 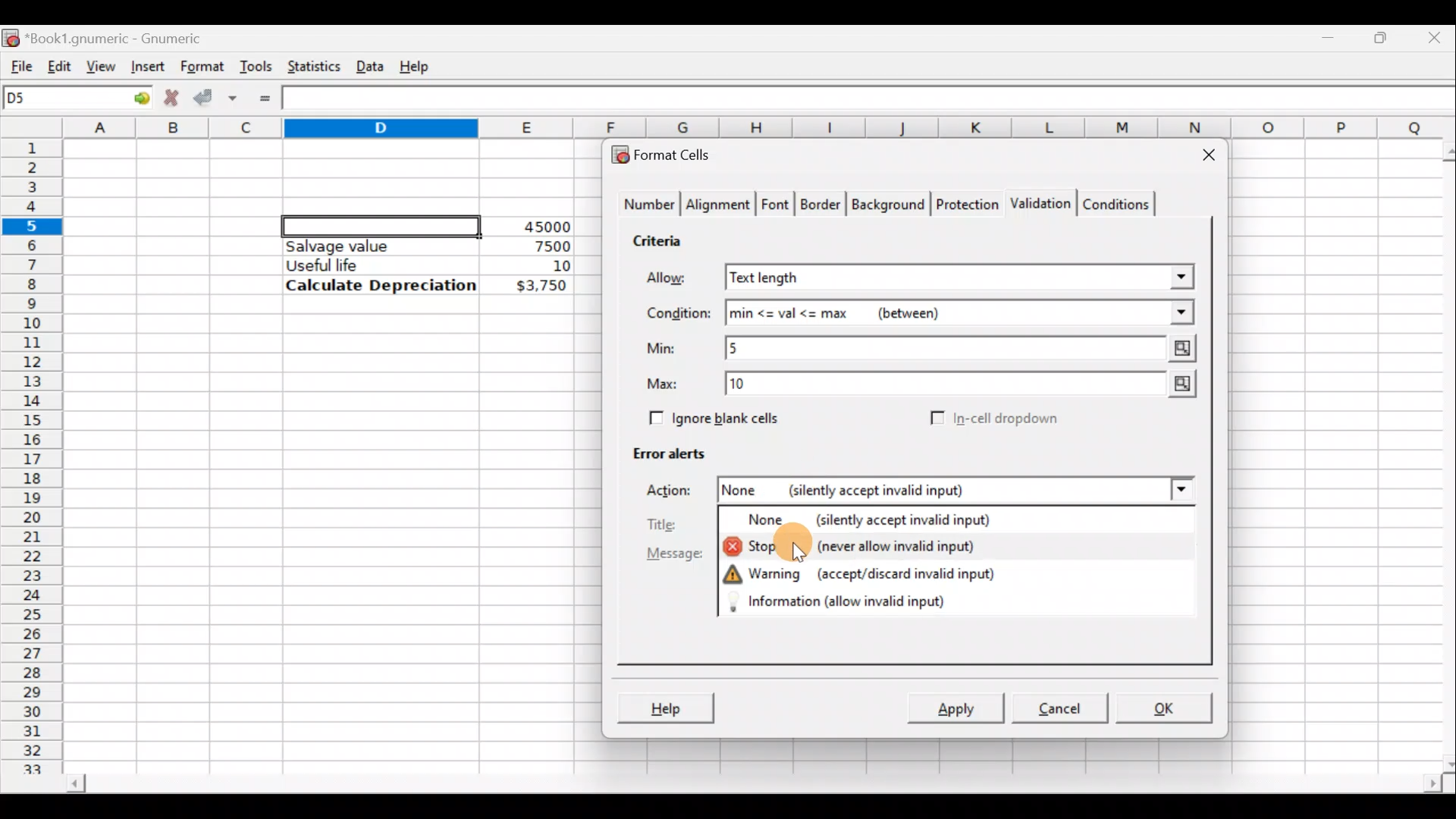 I want to click on Data, so click(x=369, y=63).